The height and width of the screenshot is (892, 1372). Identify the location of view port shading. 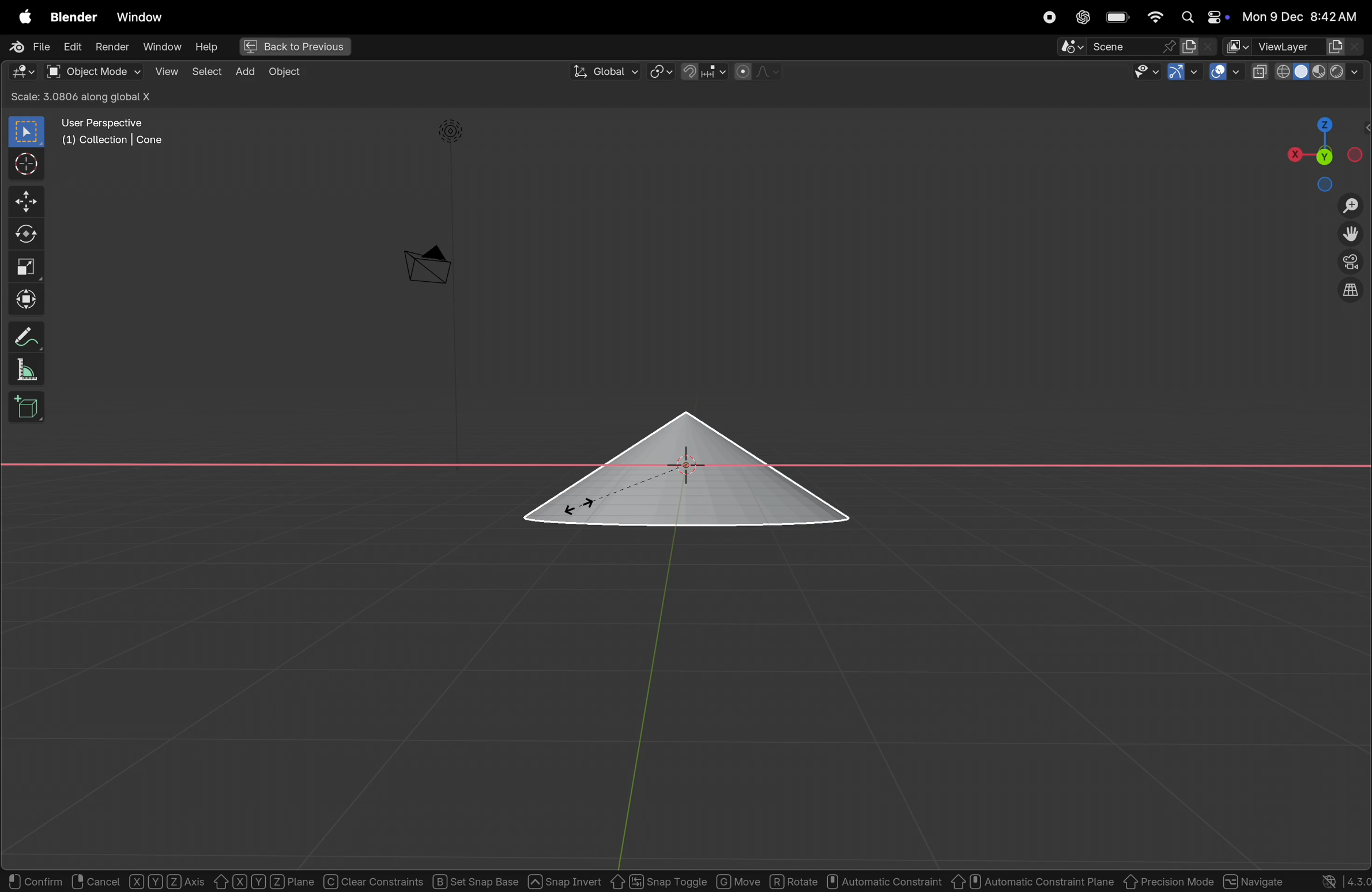
(1311, 70).